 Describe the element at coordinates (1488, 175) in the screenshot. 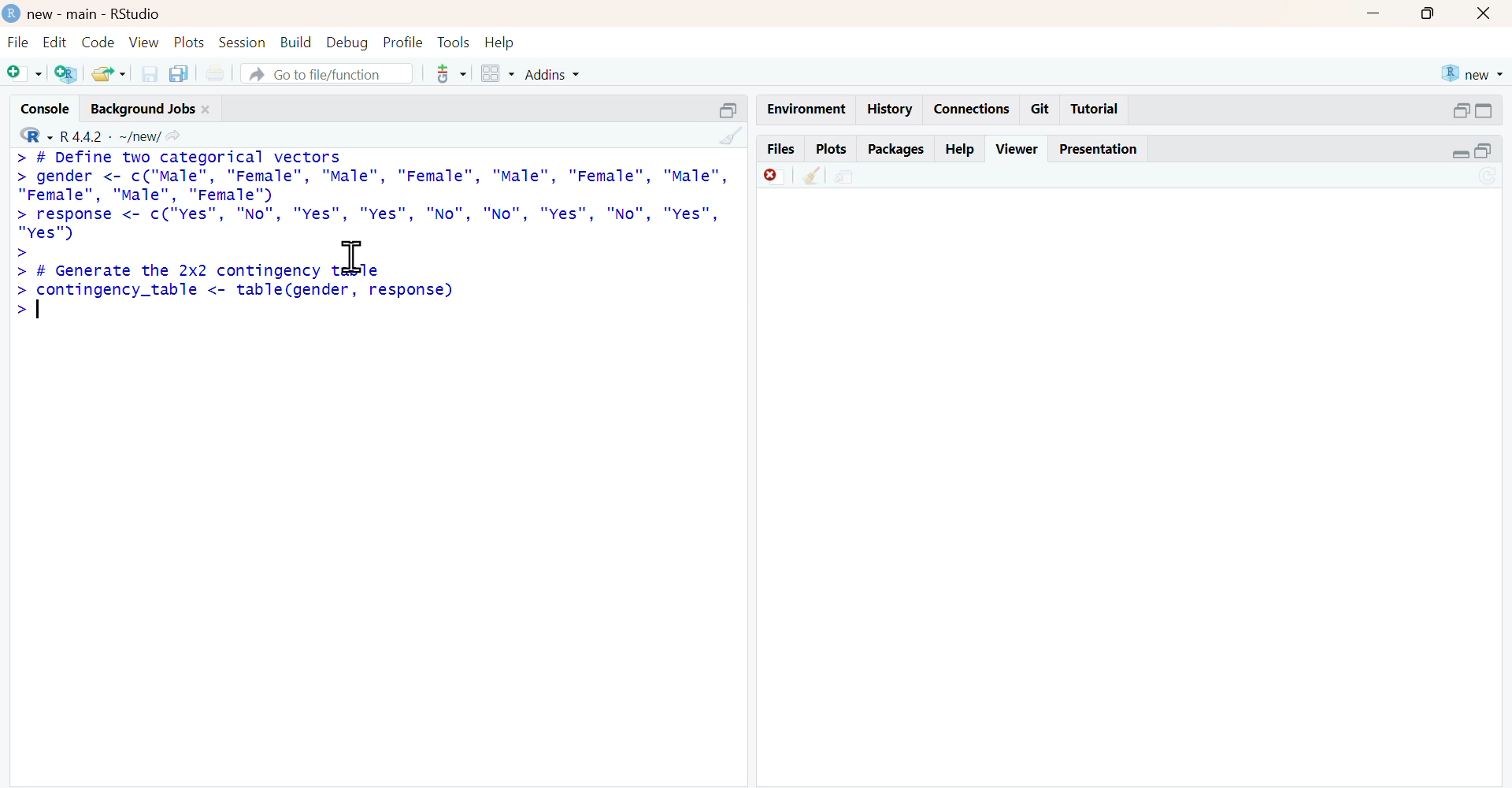

I see `Sync` at that location.